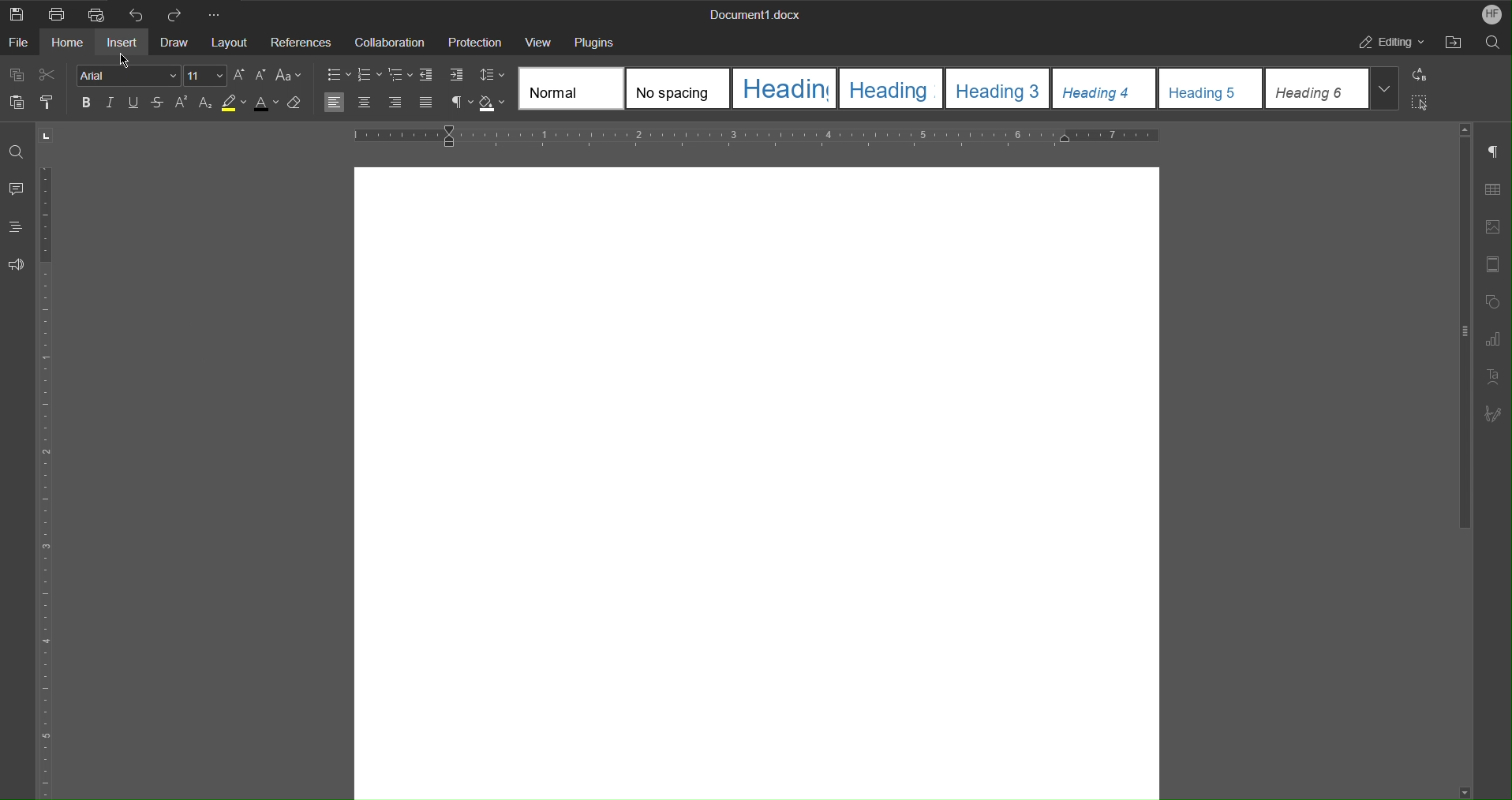 Image resolution: width=1512 pixels, height=800 pixels. Describe the element at coordinates (59, 15) in the screenshot. I see `Print` at that location.